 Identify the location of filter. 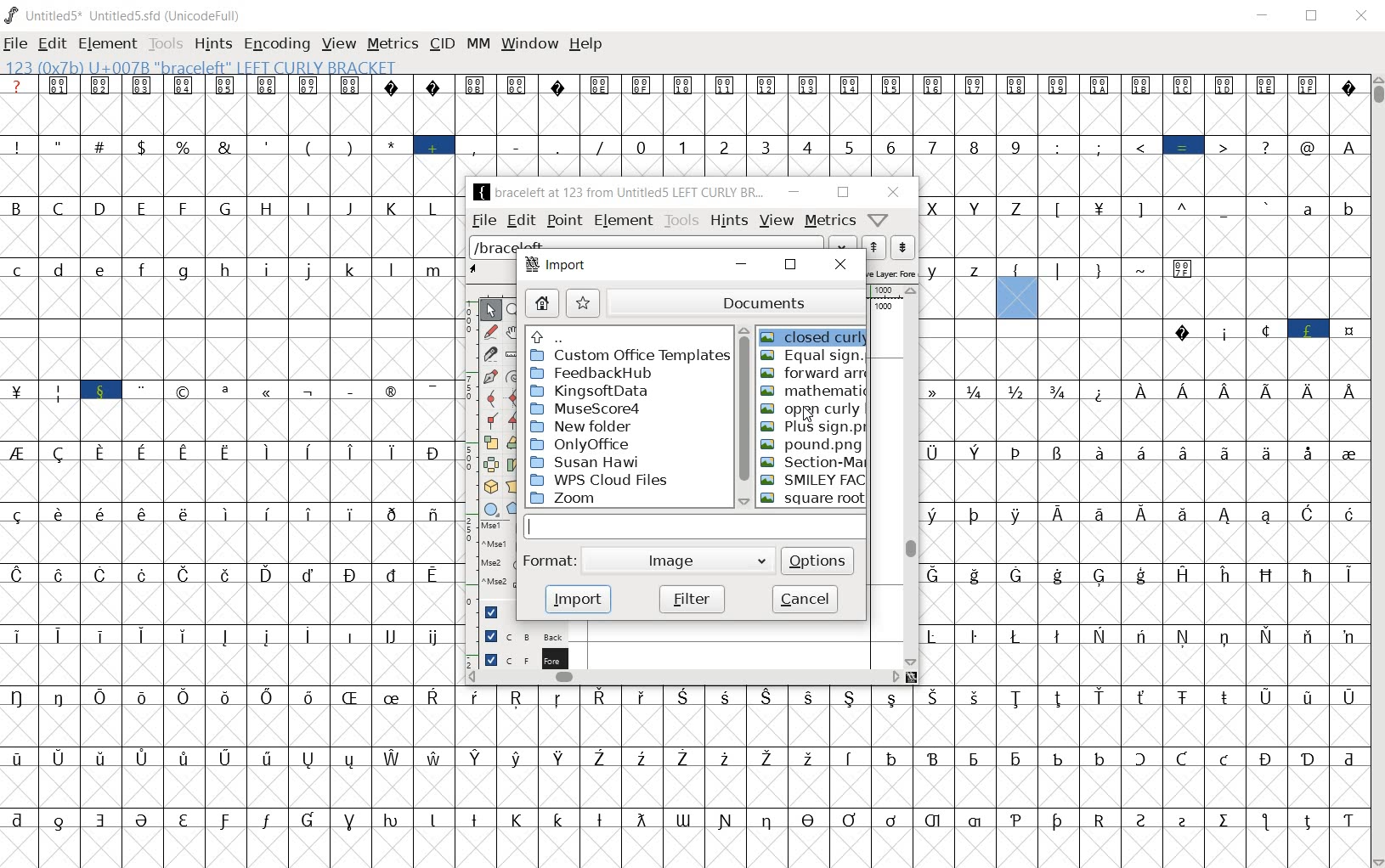
(691, 598).